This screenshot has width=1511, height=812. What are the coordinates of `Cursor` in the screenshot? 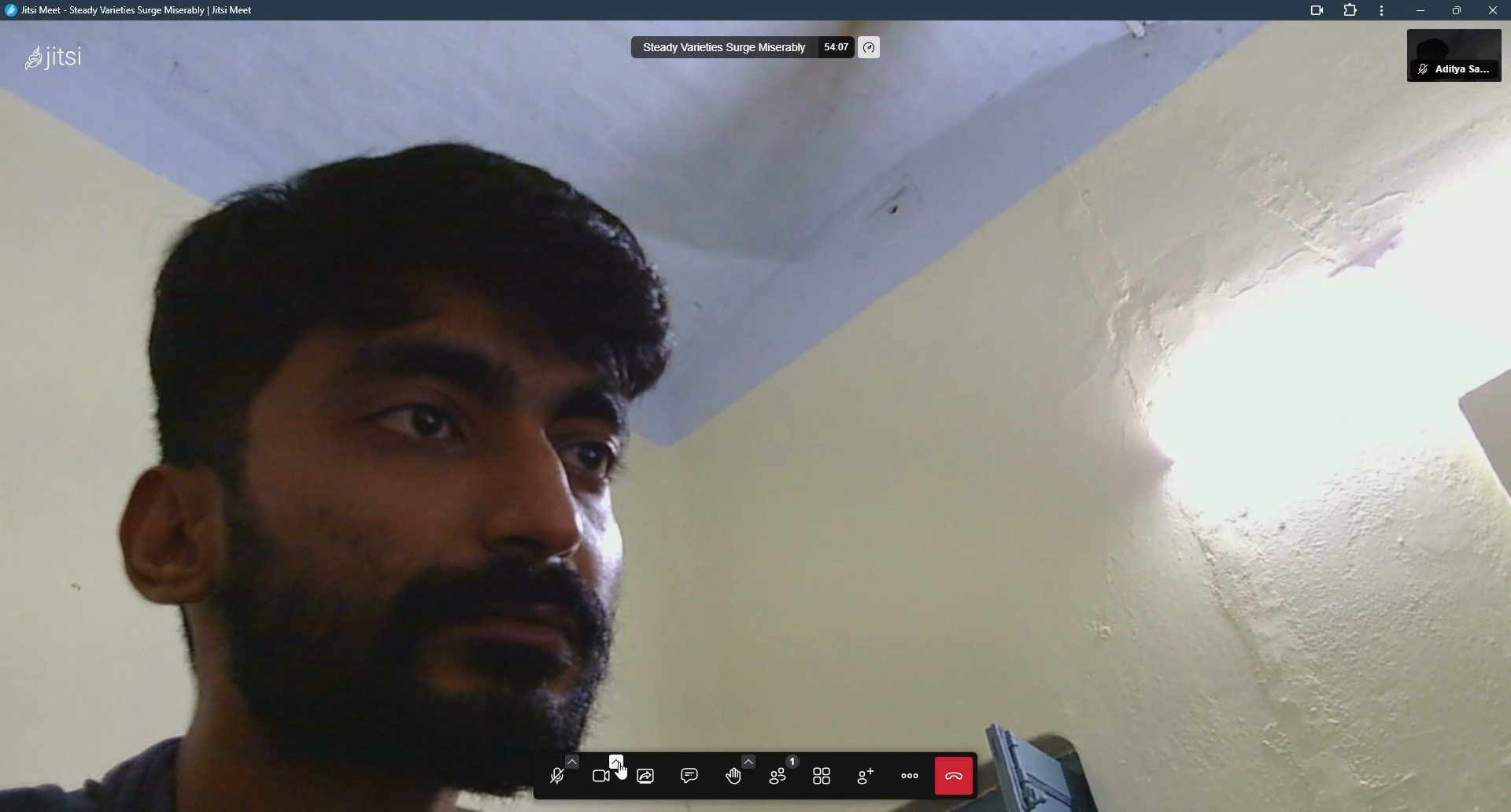 It's located at (619, 771).